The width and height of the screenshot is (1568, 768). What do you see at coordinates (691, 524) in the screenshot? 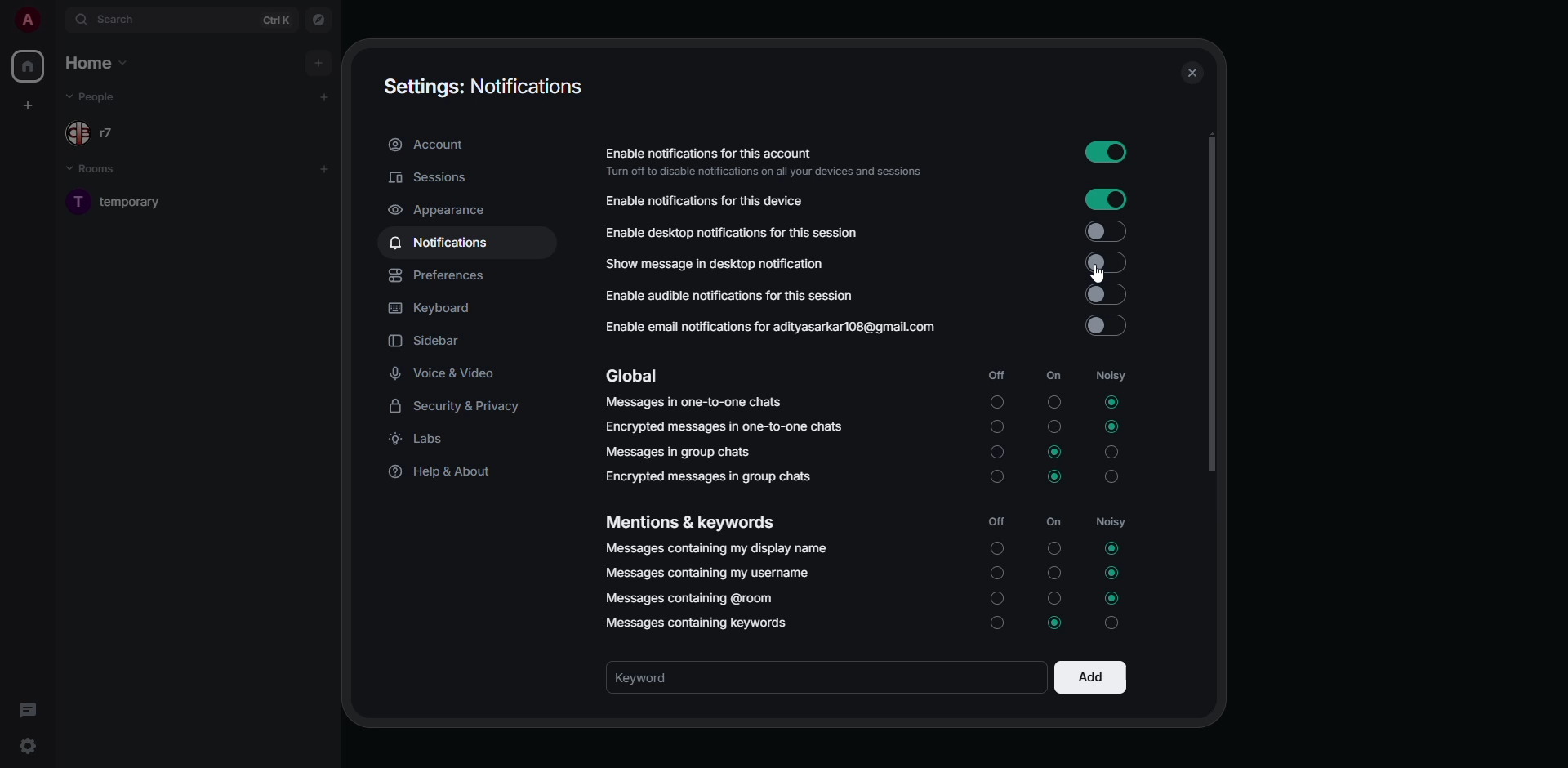
I see `mentions & keywords` at bounding box center [691, 524].